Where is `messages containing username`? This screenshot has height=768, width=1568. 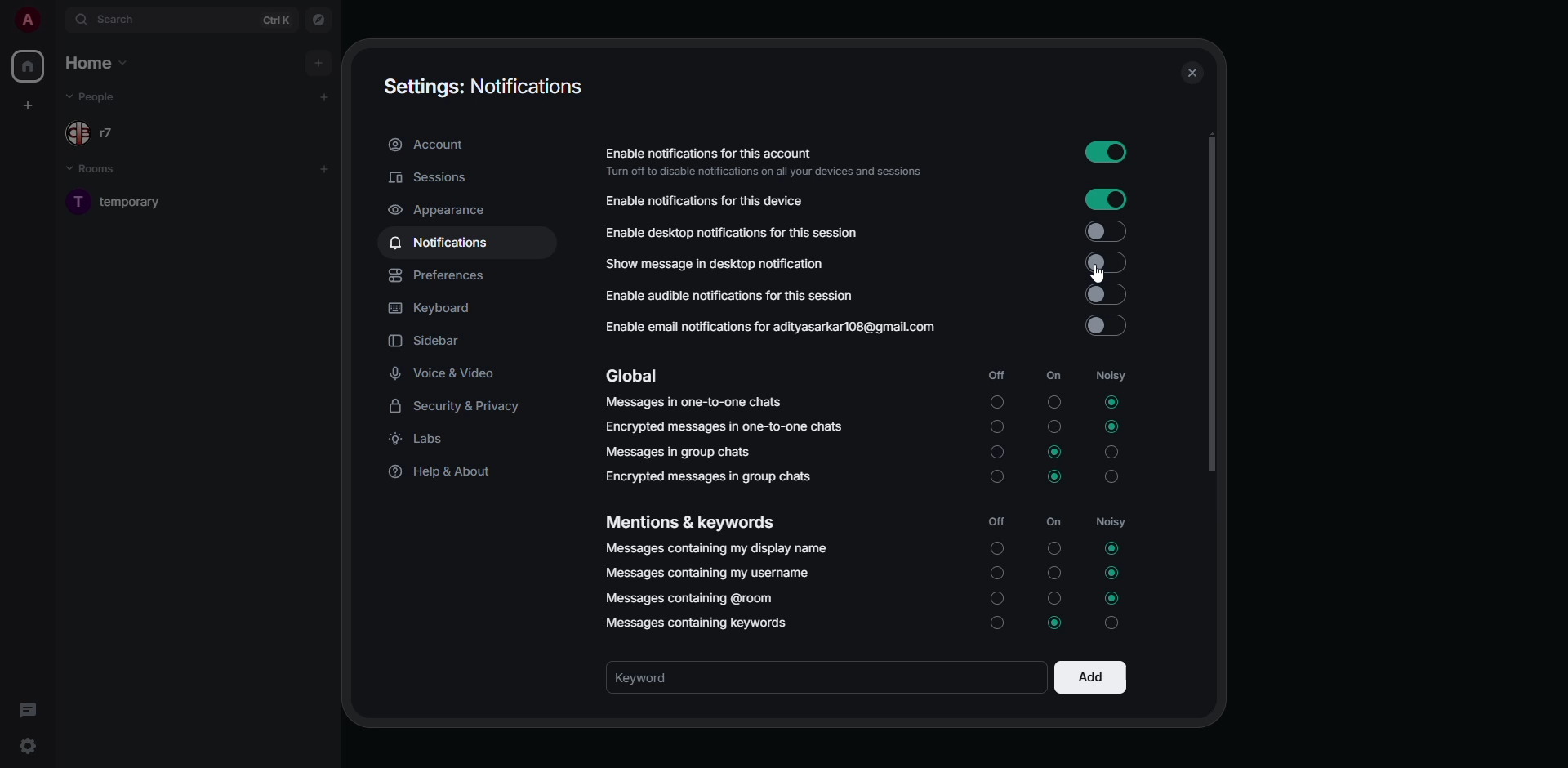
messages containing username is located at coordinates (707, 572).